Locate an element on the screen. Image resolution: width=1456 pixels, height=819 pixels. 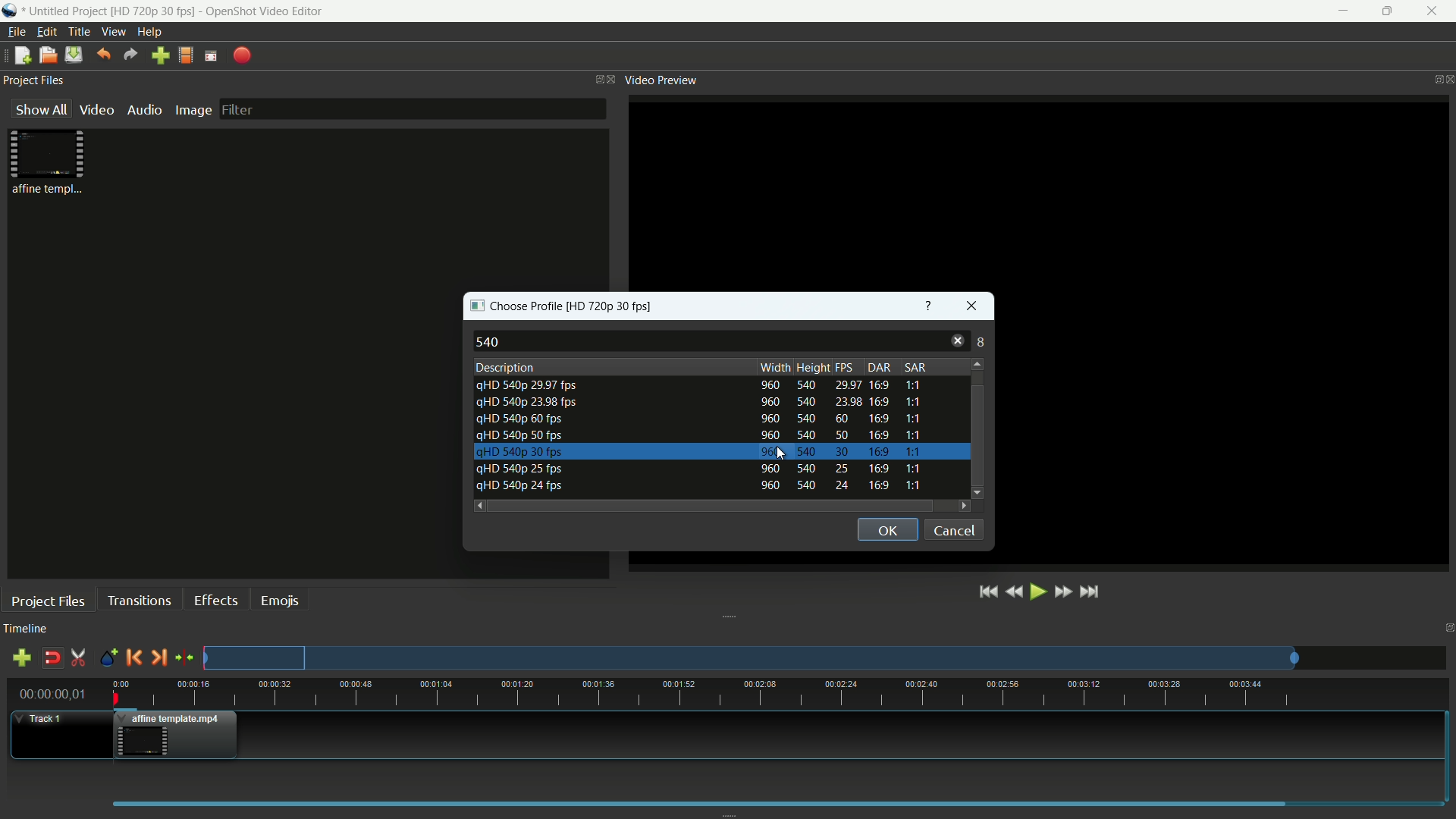
close window is located at coordinates (972, 308).